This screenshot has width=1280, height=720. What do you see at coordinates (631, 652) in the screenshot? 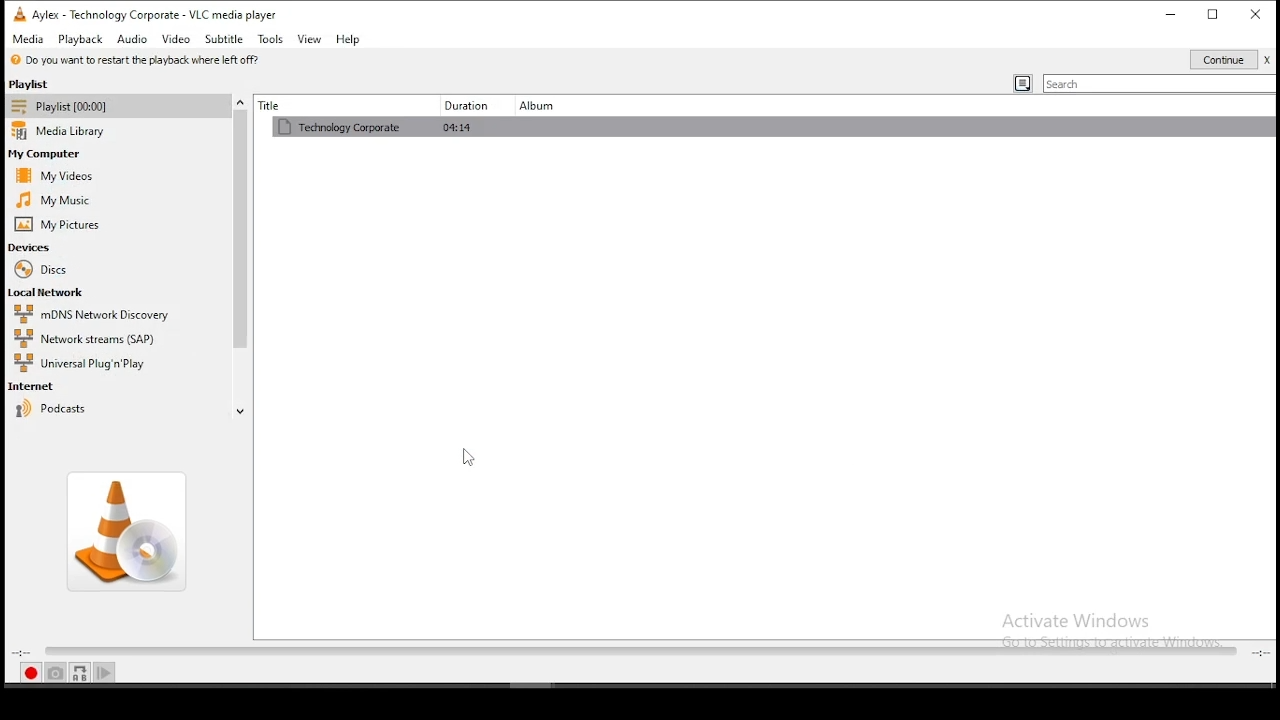
I see `seek bar` at bounding box center [631, 652].